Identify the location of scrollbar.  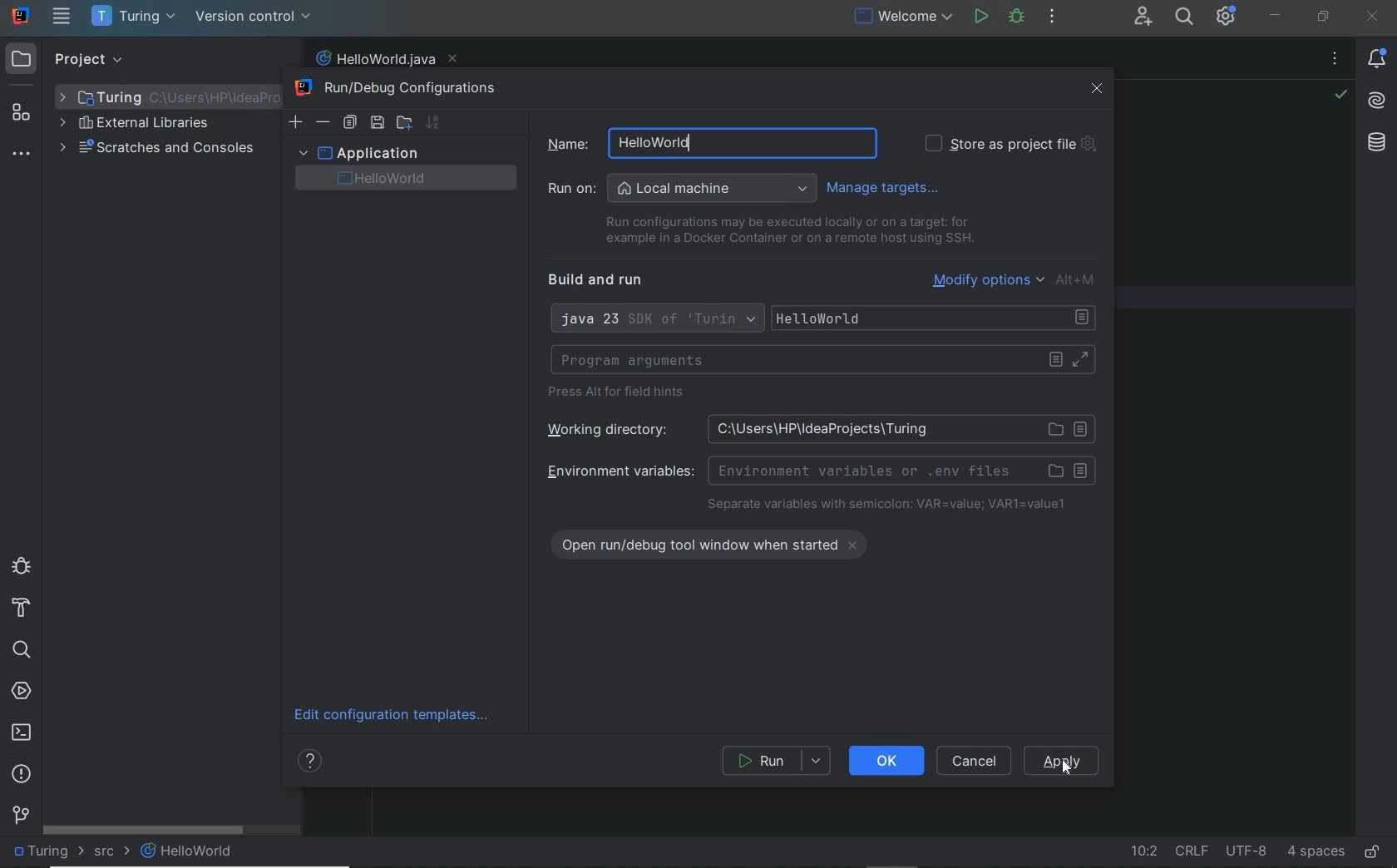
(144, 830).